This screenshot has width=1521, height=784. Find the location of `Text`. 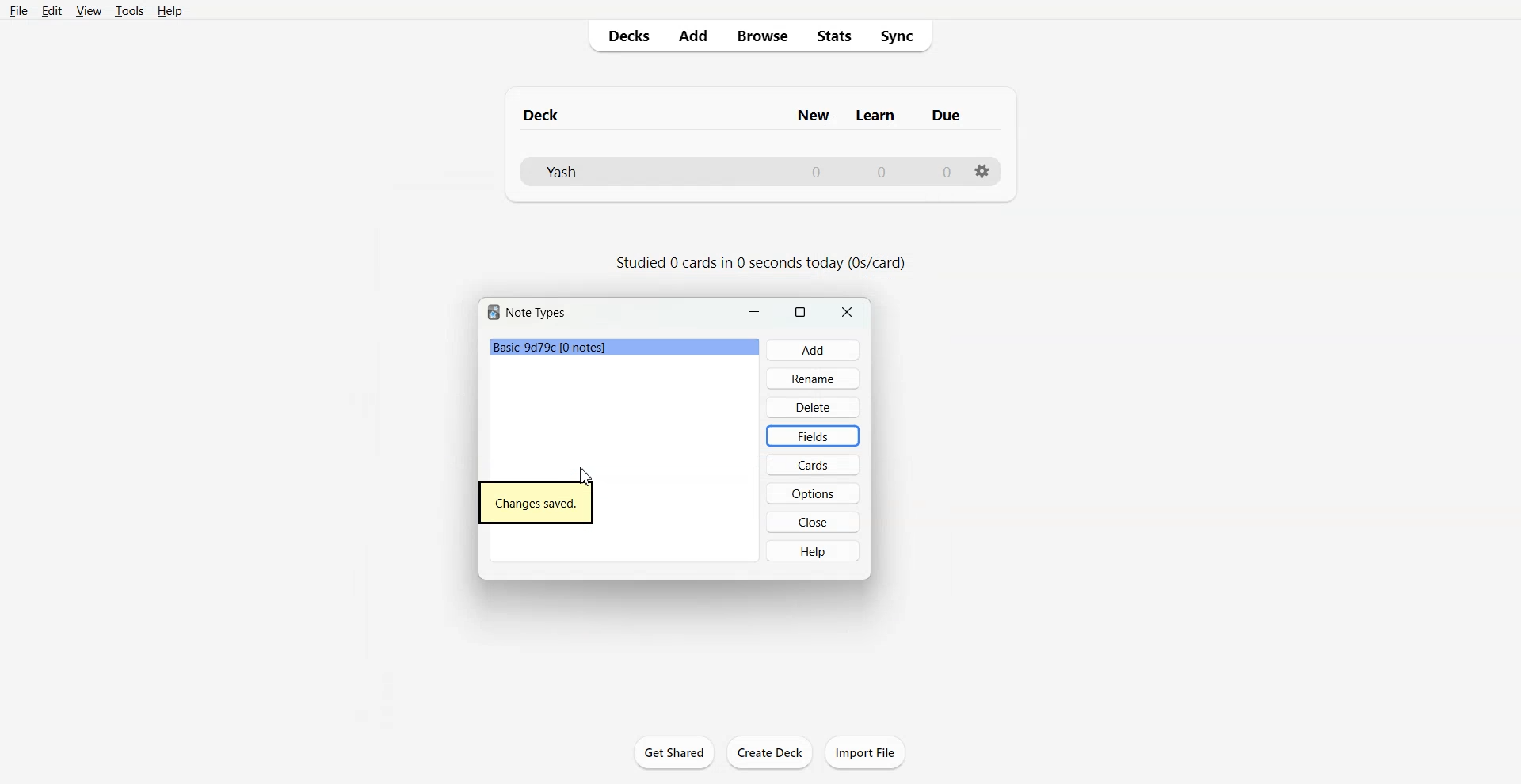

Text is located at coordinates (536, 313).